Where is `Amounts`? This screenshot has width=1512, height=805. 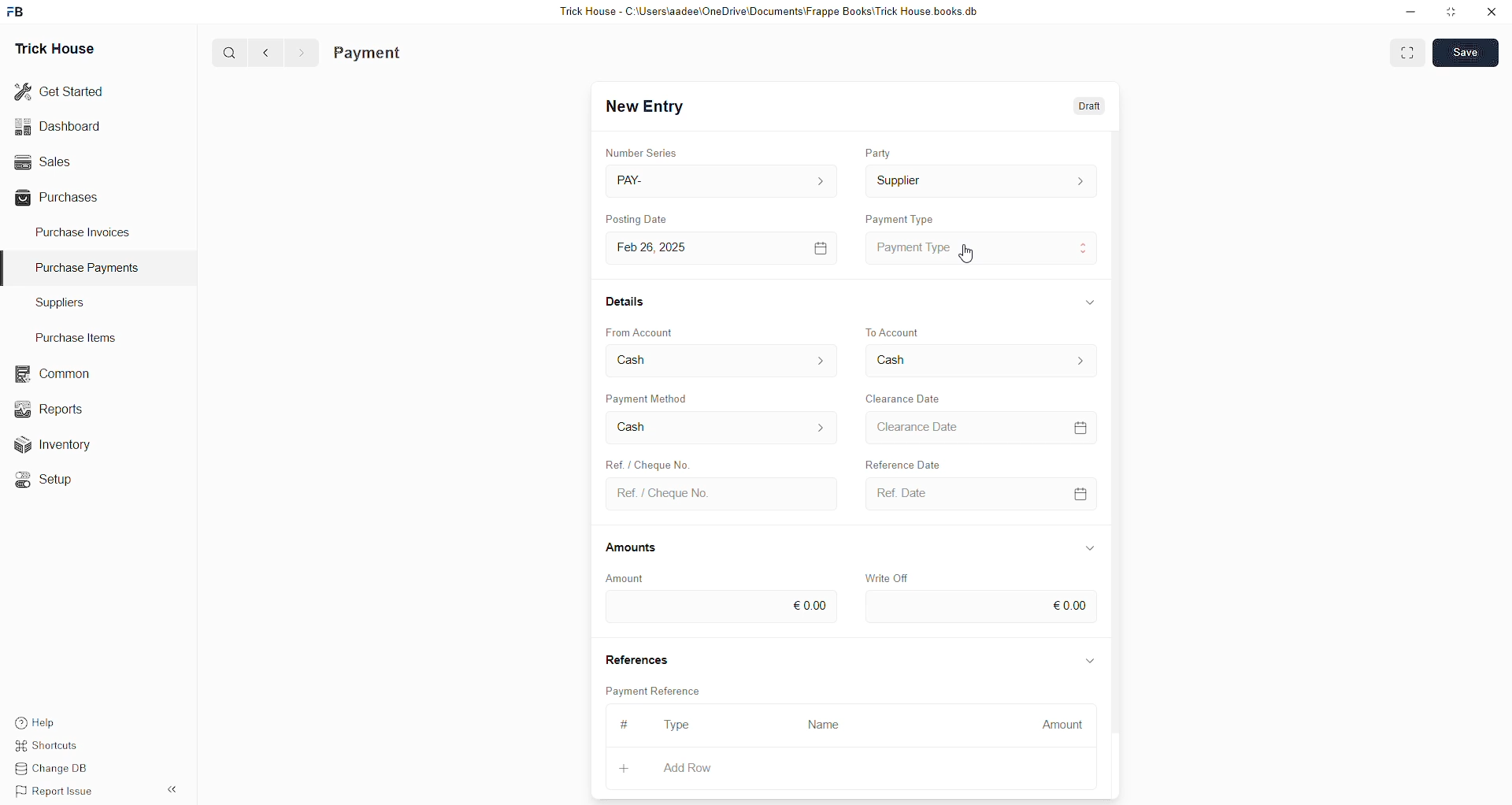 Amounts is located at coordinates (637, 547).